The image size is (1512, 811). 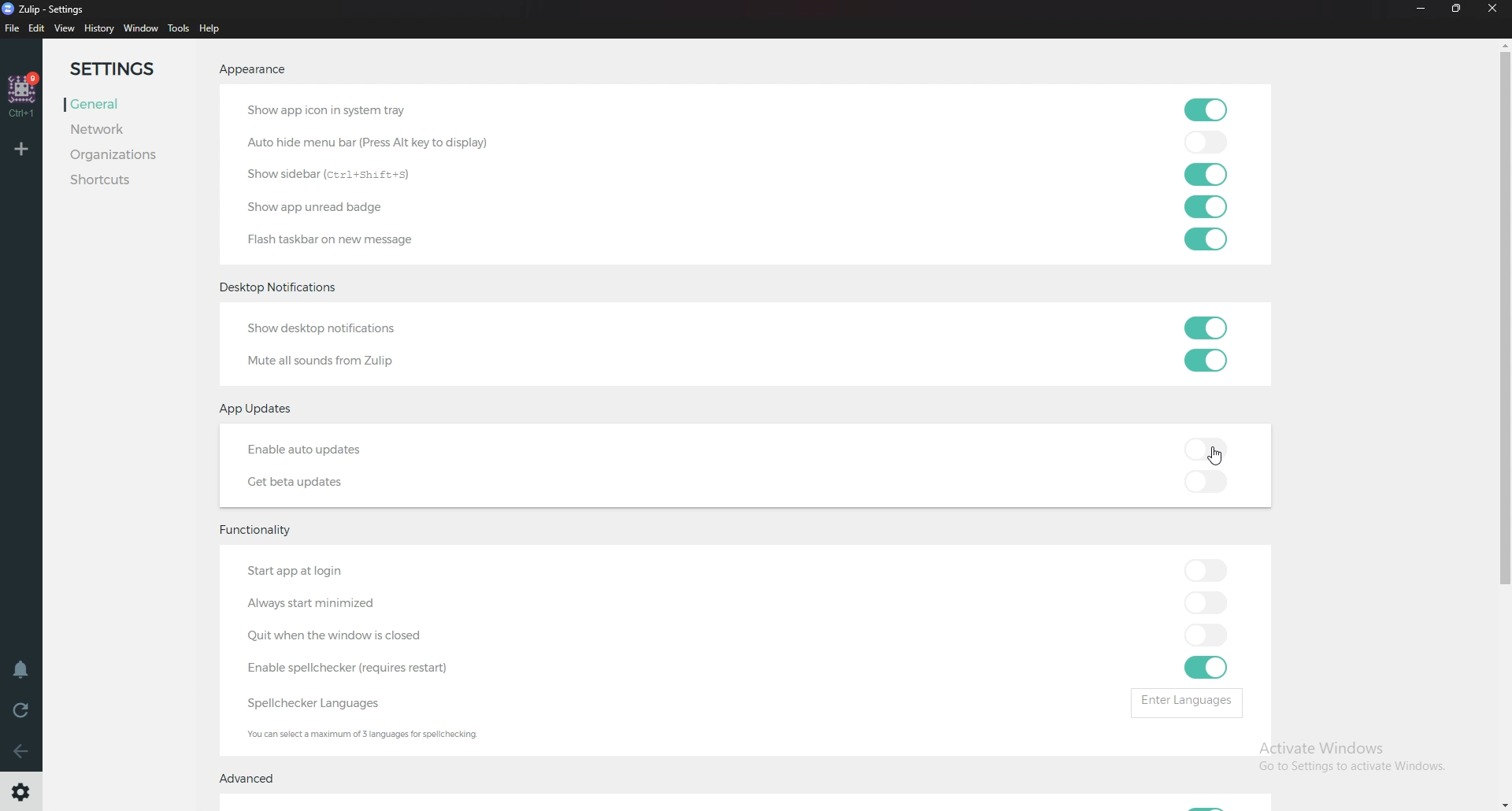 What do you see at coordinates (361, 143) in the screenshot?
I see `auto hide menu bar` at bounding box center [361, 143].